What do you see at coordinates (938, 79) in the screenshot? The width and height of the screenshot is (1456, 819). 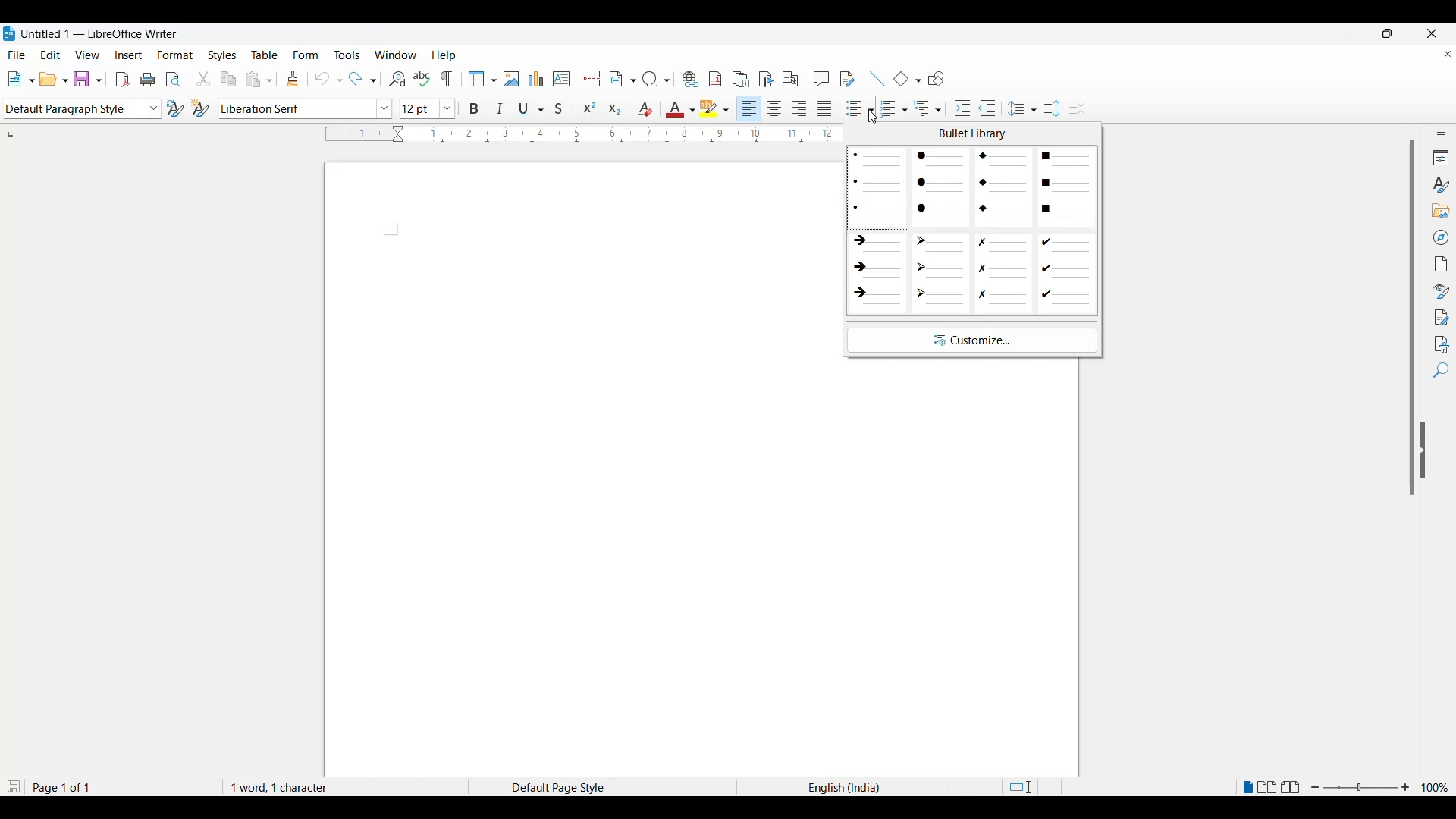 I see `show drawing function` at bounding box center [938, 79].